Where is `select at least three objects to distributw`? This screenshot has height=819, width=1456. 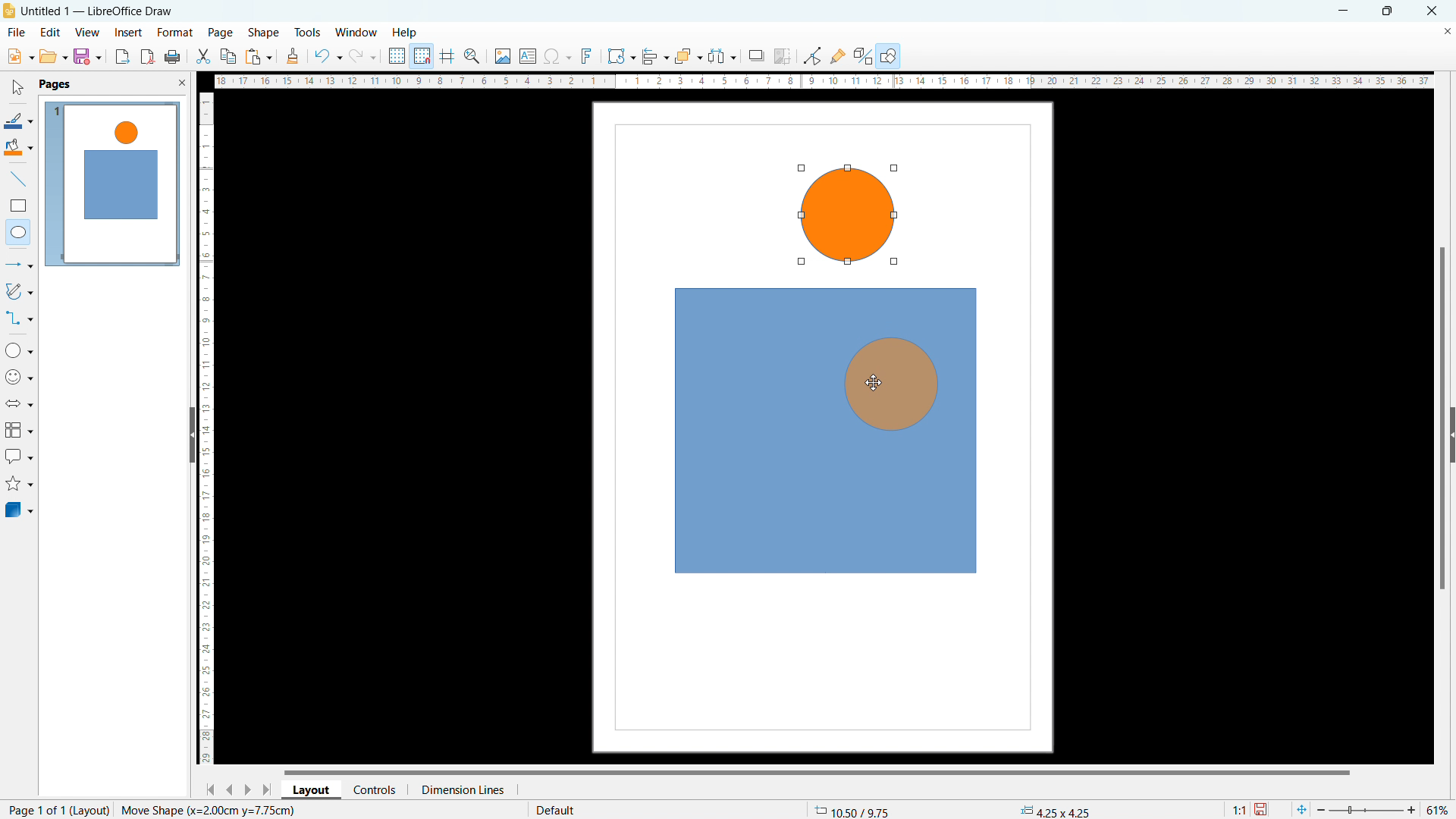 select at least three objects to distributw is located at coordinates (721, 57).